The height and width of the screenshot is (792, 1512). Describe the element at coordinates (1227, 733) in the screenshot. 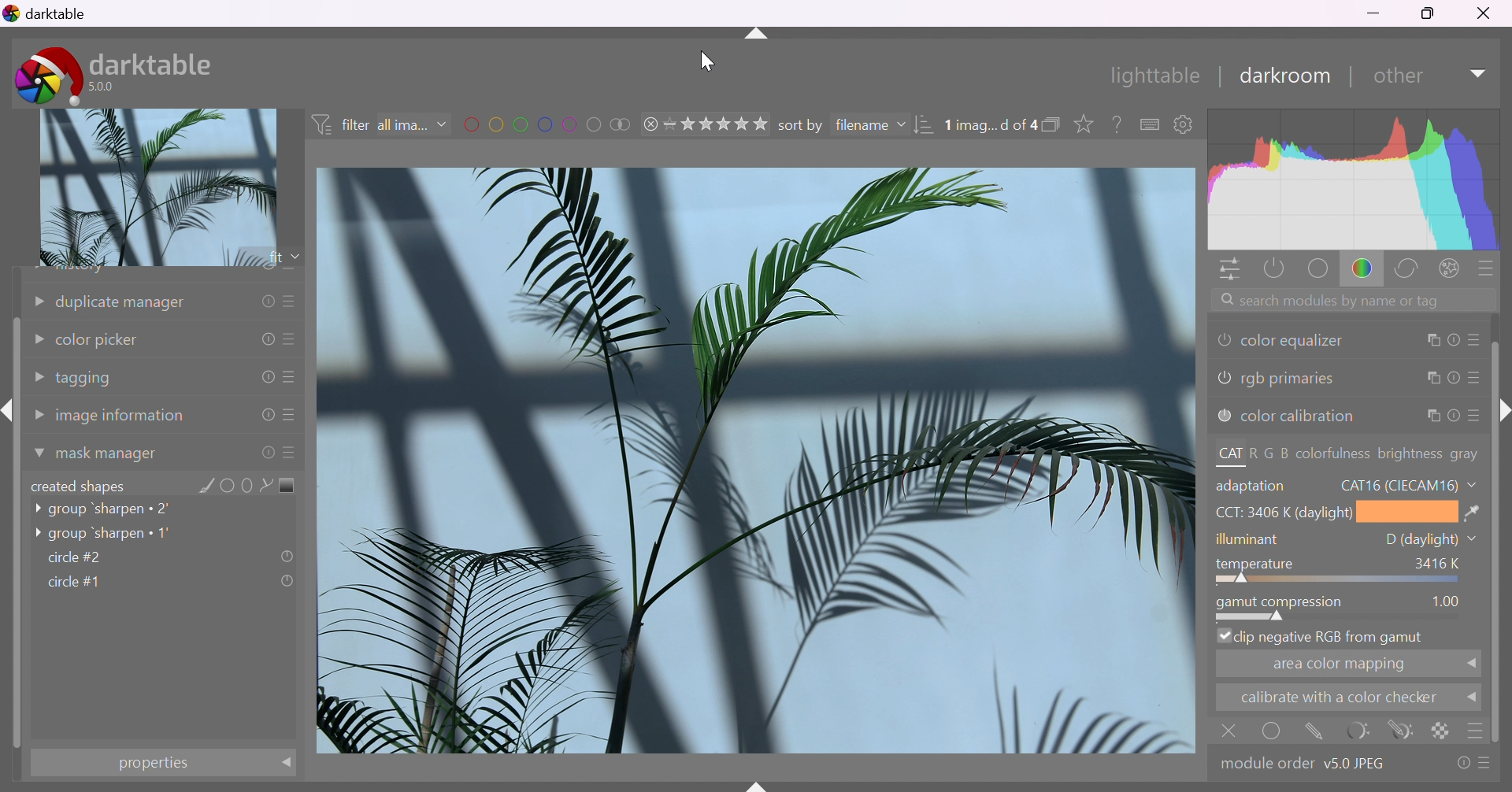

I see `close` at that location.